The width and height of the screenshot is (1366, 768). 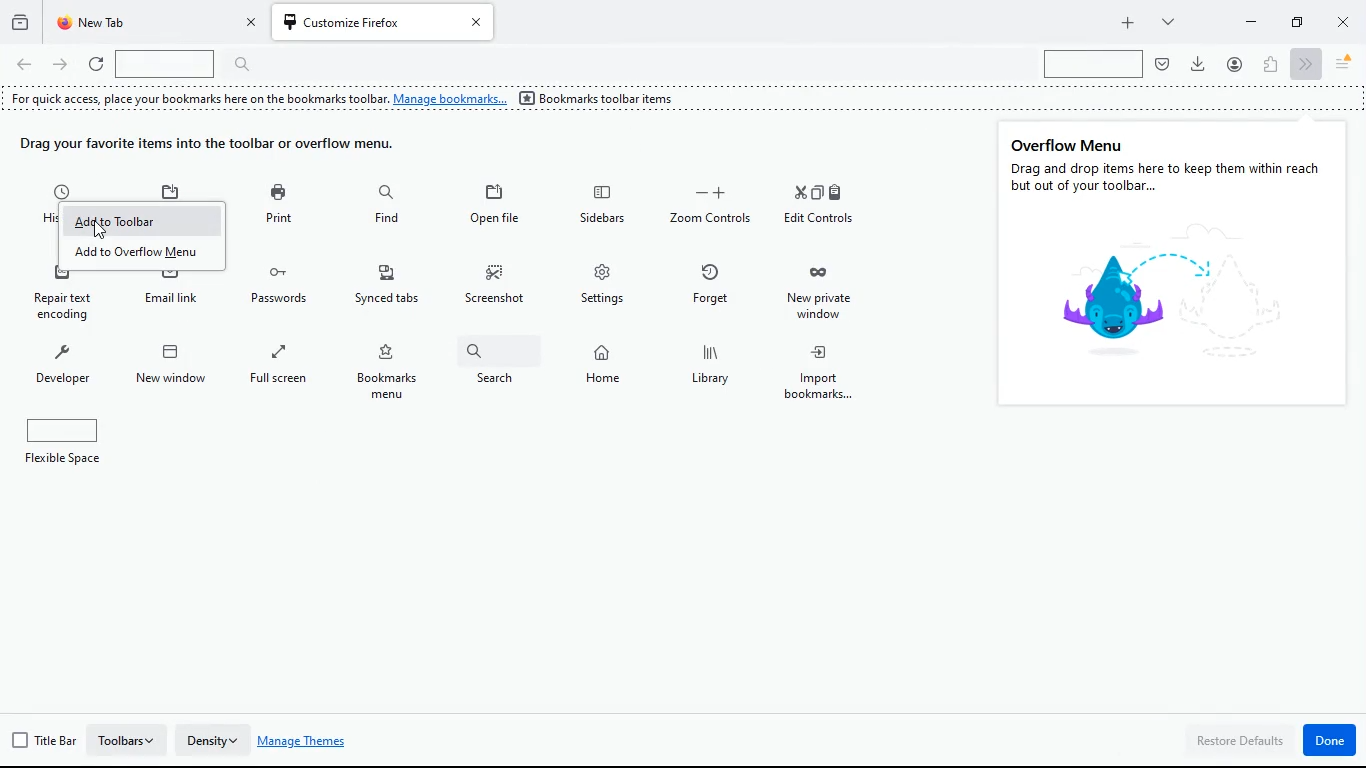 I want to click on overflow menu, so click(x=1070, y=143).